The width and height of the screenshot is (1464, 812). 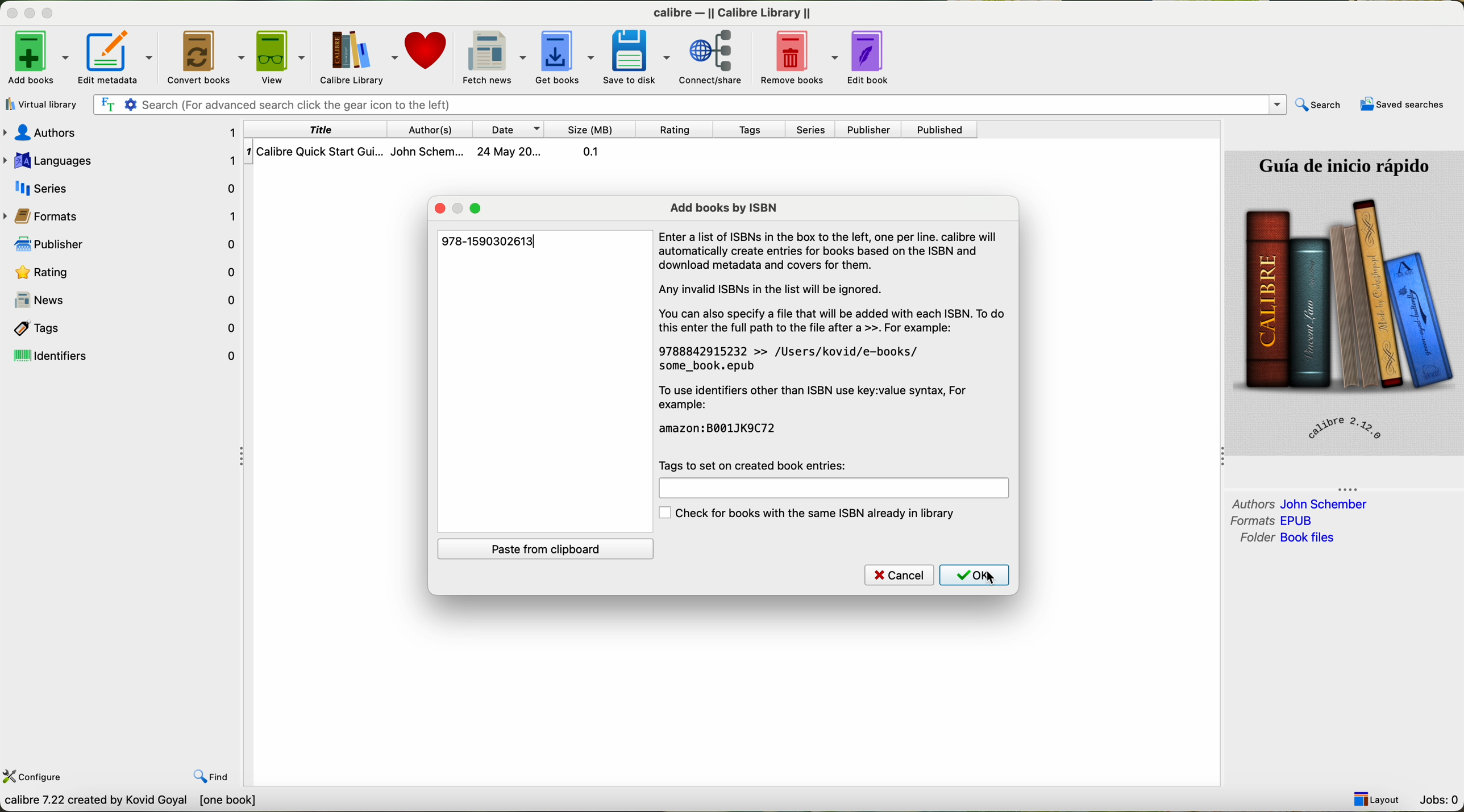 What do you see at coordinates (285, 56) in the screenshot?
I see `view` at bounding box center [285, 56].